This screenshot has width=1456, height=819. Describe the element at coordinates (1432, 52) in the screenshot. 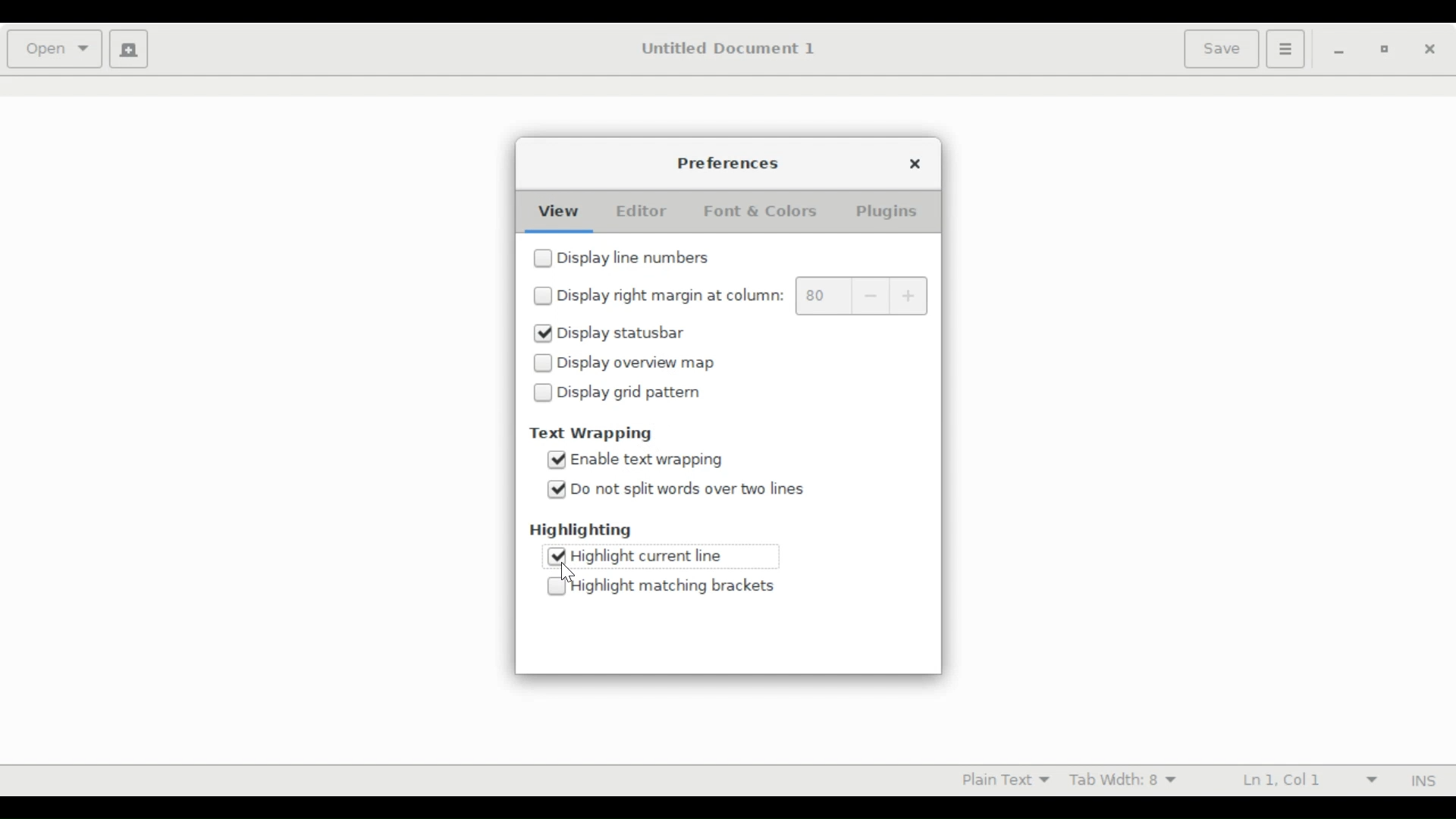

I see `Close` at that location.